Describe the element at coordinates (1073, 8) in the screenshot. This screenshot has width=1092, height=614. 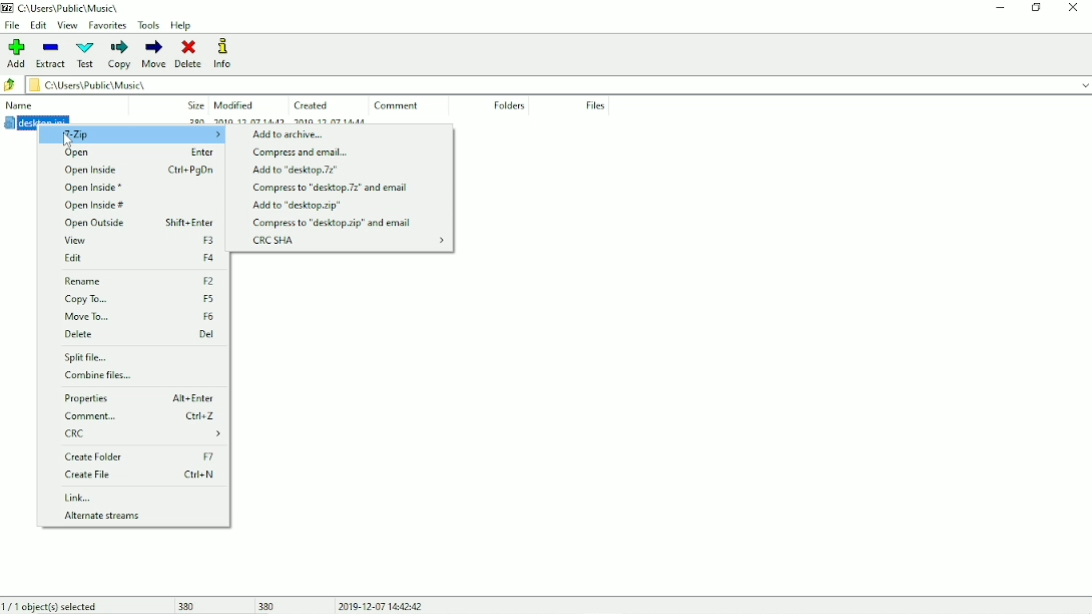
I see `Close` at that location.